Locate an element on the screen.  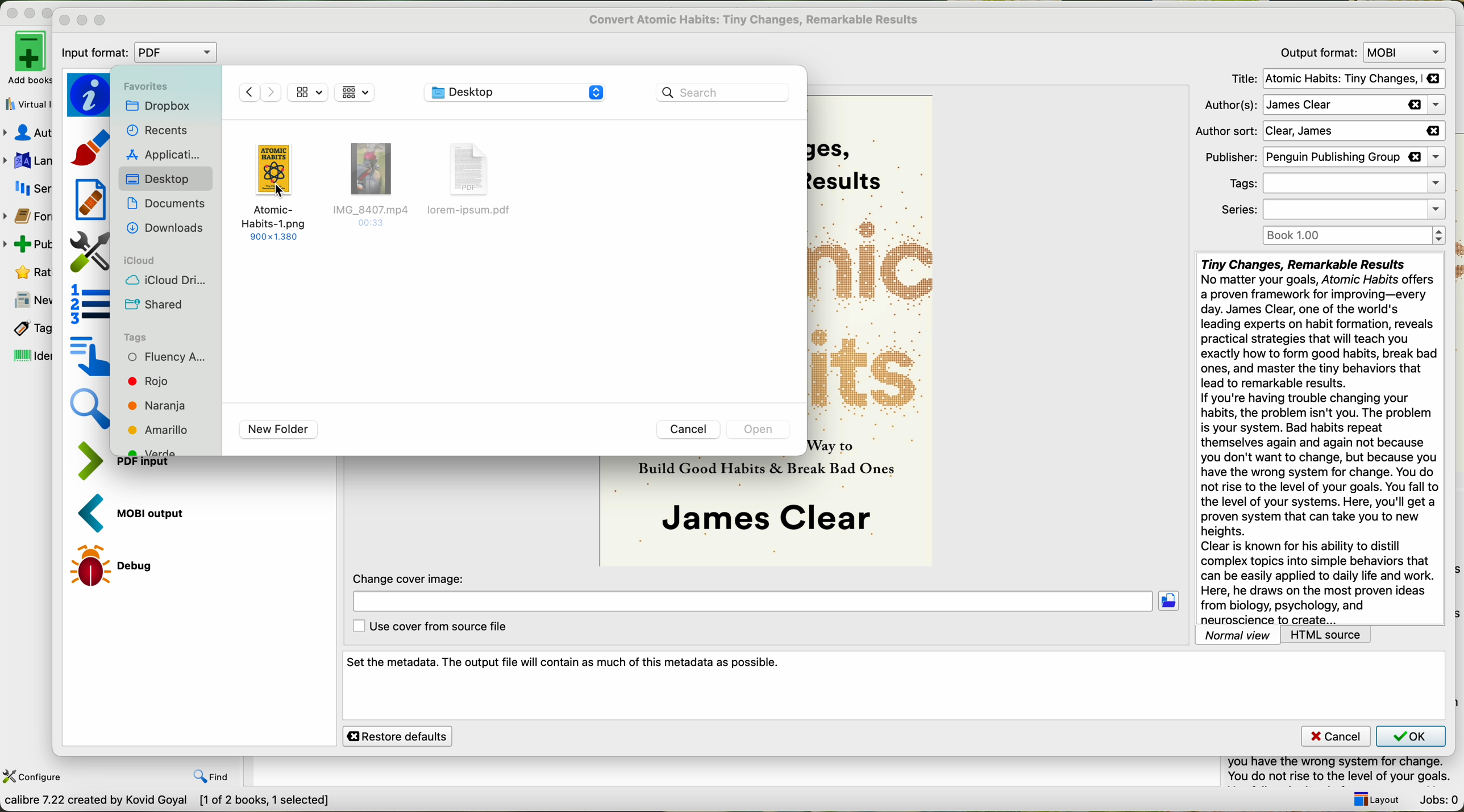
summary is located at coordinates (1345, 771).